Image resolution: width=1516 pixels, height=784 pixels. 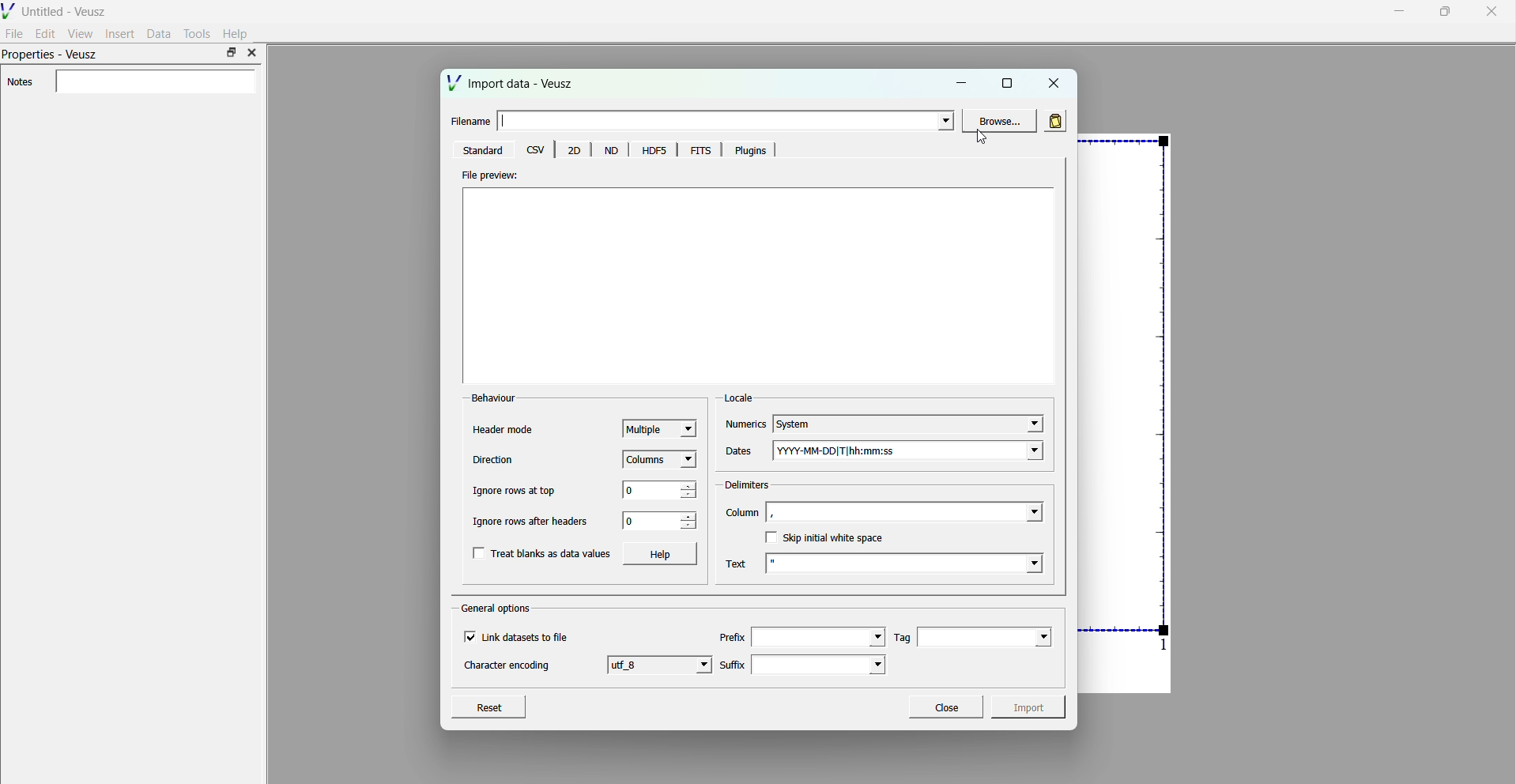 I want to click on Help, so click(x=660, y=554).